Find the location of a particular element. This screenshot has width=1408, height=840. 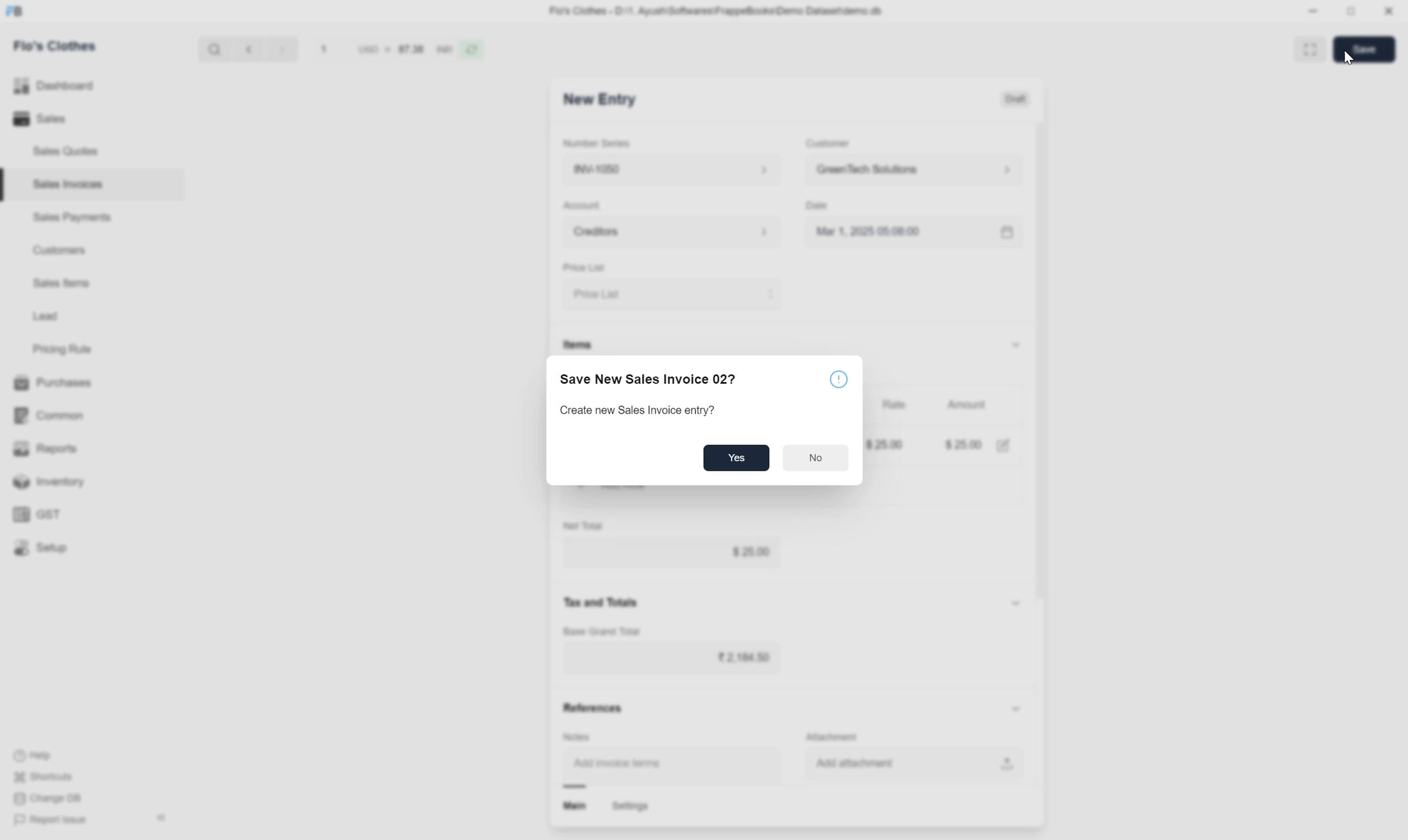

Report Issue  is located at coordinates (60, 822).